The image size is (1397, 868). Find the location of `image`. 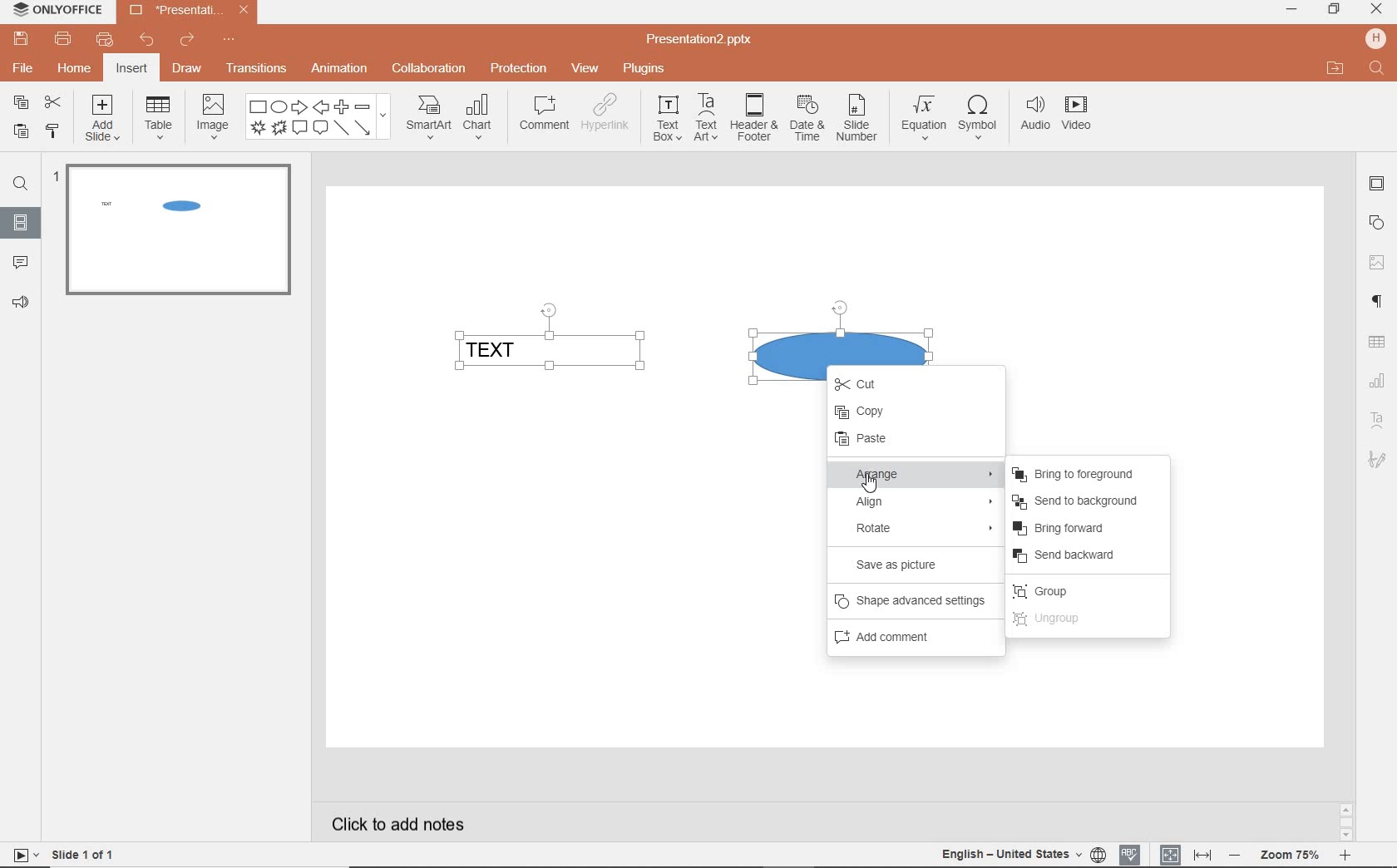

image is located at coordinates (210, 116).